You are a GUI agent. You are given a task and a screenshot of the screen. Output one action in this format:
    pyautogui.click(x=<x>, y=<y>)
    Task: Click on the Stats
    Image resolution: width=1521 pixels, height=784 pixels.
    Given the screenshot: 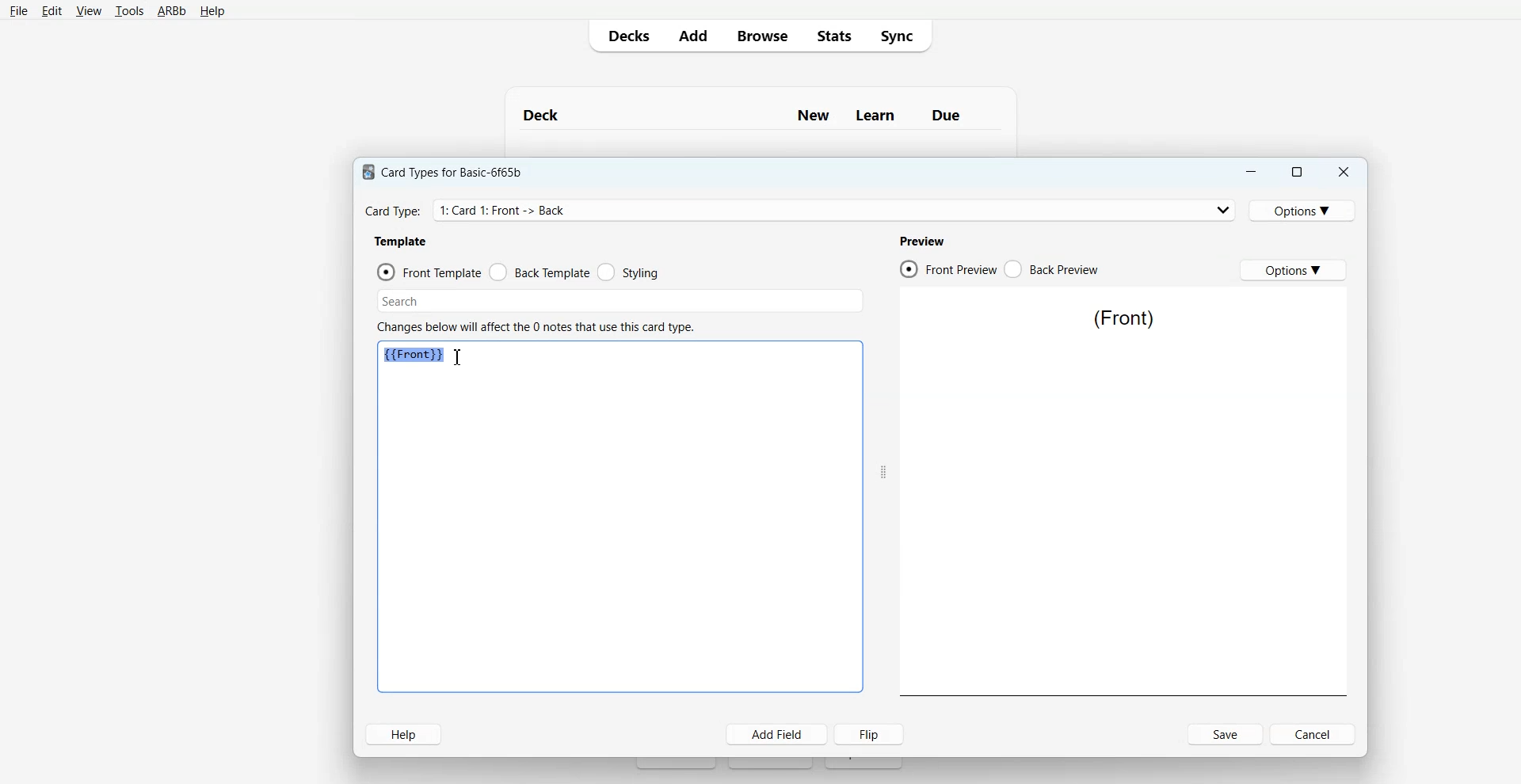 What is the action you would take?
    pyautogui.click(x=831, y=36)
    